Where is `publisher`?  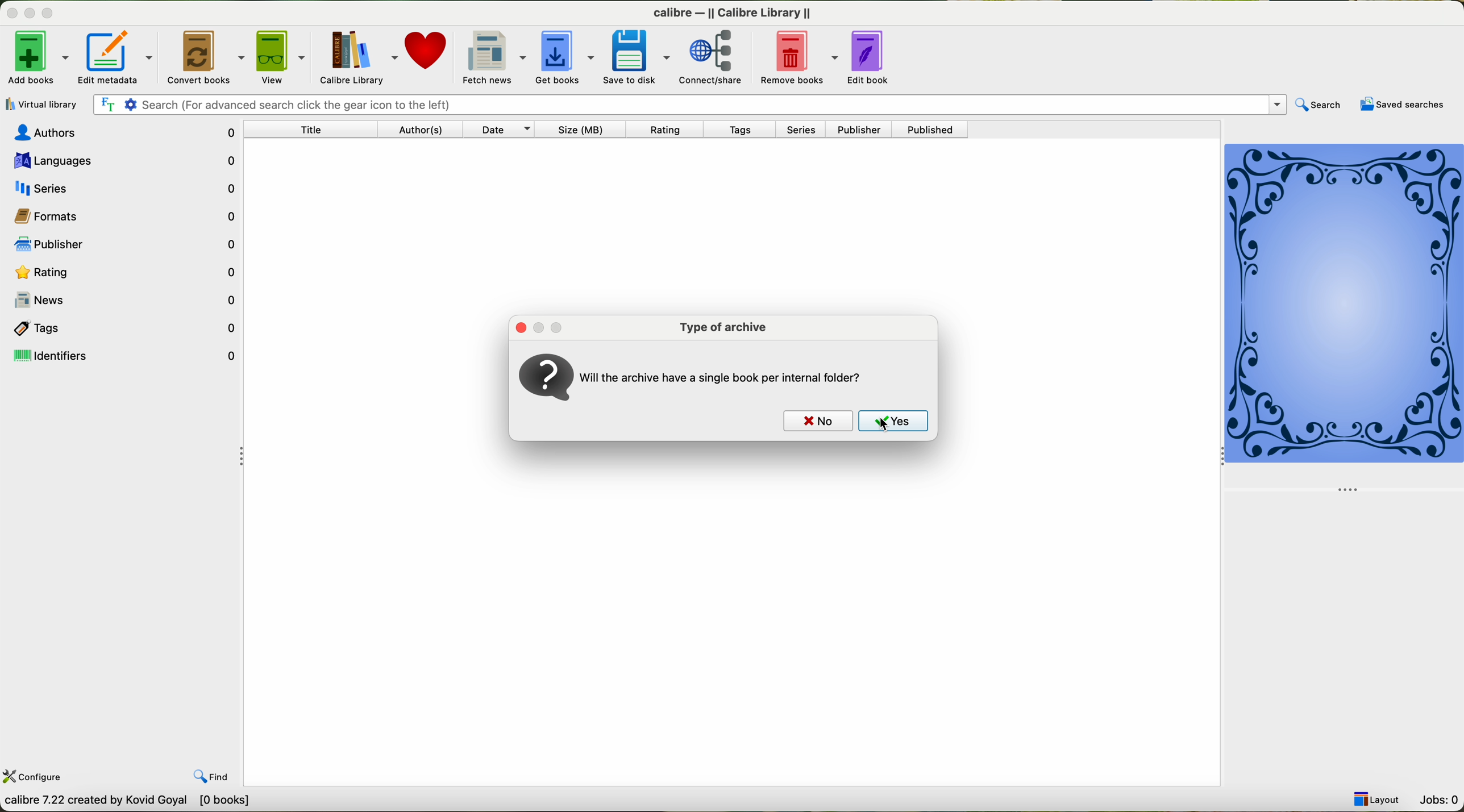 publisher is located at coordinates (862, 130).